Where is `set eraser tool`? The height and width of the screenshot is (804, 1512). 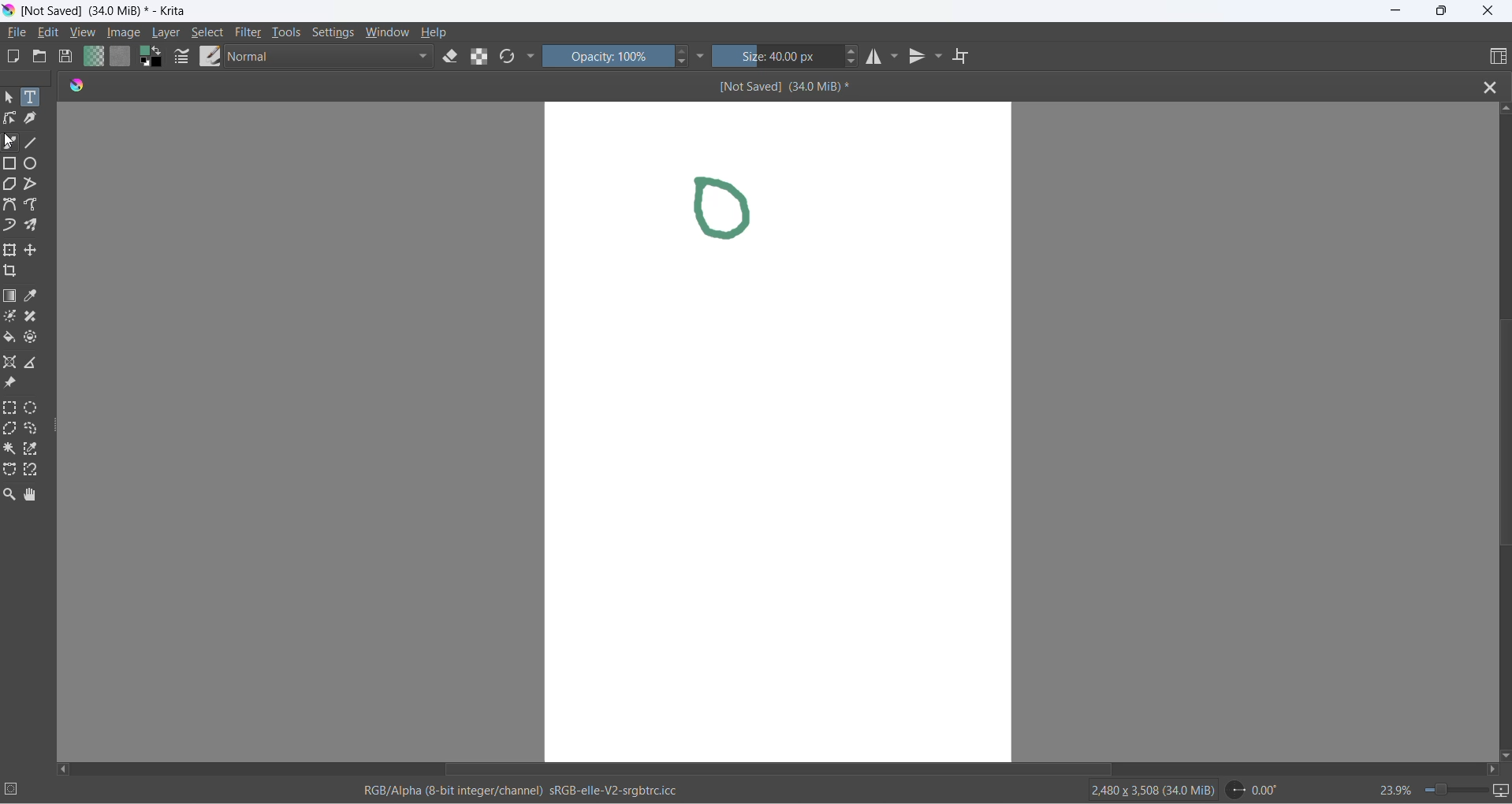
set eraser tool is located at coordinates (451, 57).